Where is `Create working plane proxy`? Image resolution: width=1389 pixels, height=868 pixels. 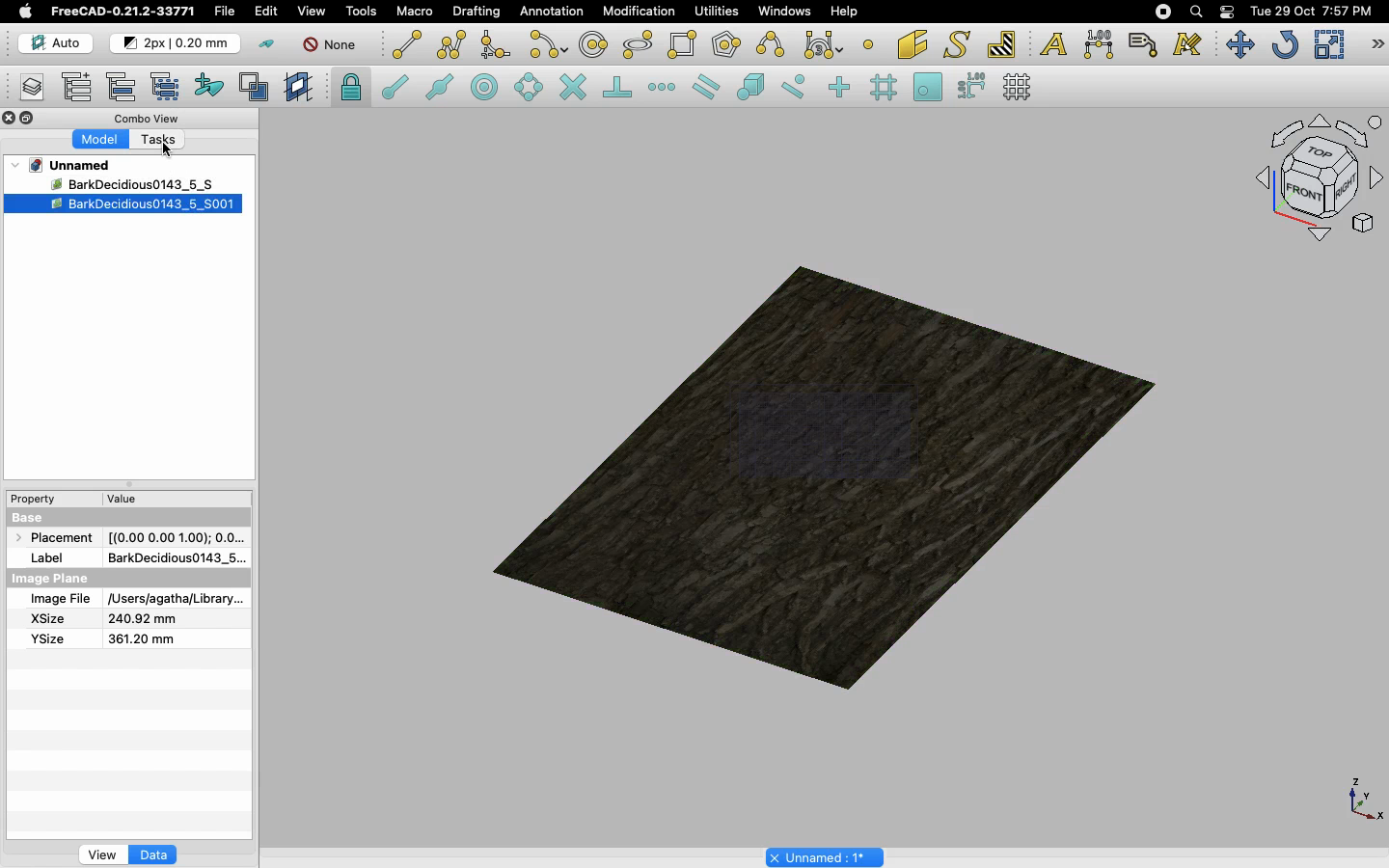
Create working plane proxy is located at coordinates (258, 88).